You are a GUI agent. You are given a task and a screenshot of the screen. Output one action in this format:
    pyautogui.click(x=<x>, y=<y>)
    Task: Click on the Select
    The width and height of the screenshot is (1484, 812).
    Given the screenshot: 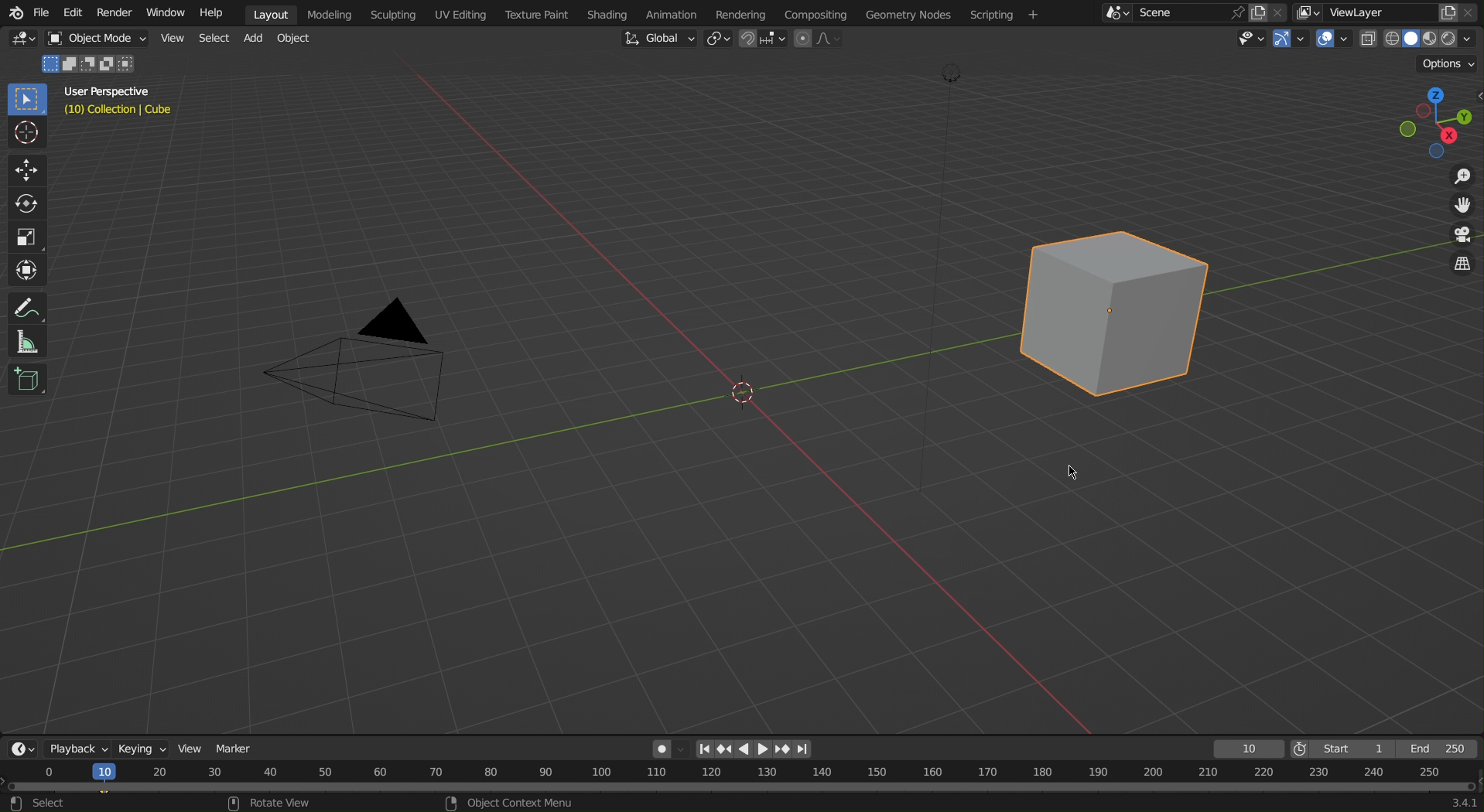 What is the action you would take?
    pyautogui.click(x=214, y=39)
    